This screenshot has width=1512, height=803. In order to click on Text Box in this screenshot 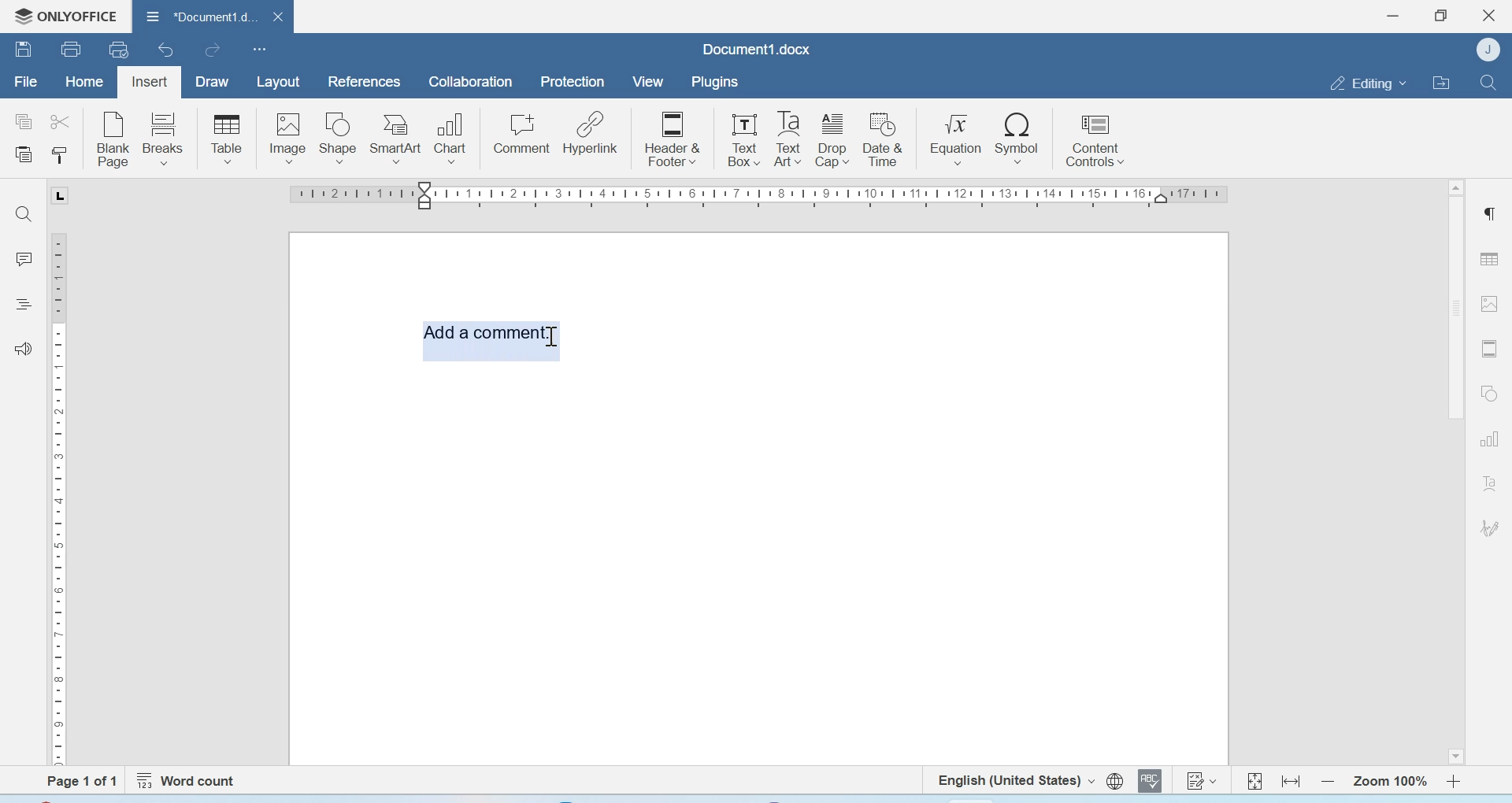, I will do `click(786, 139)`.